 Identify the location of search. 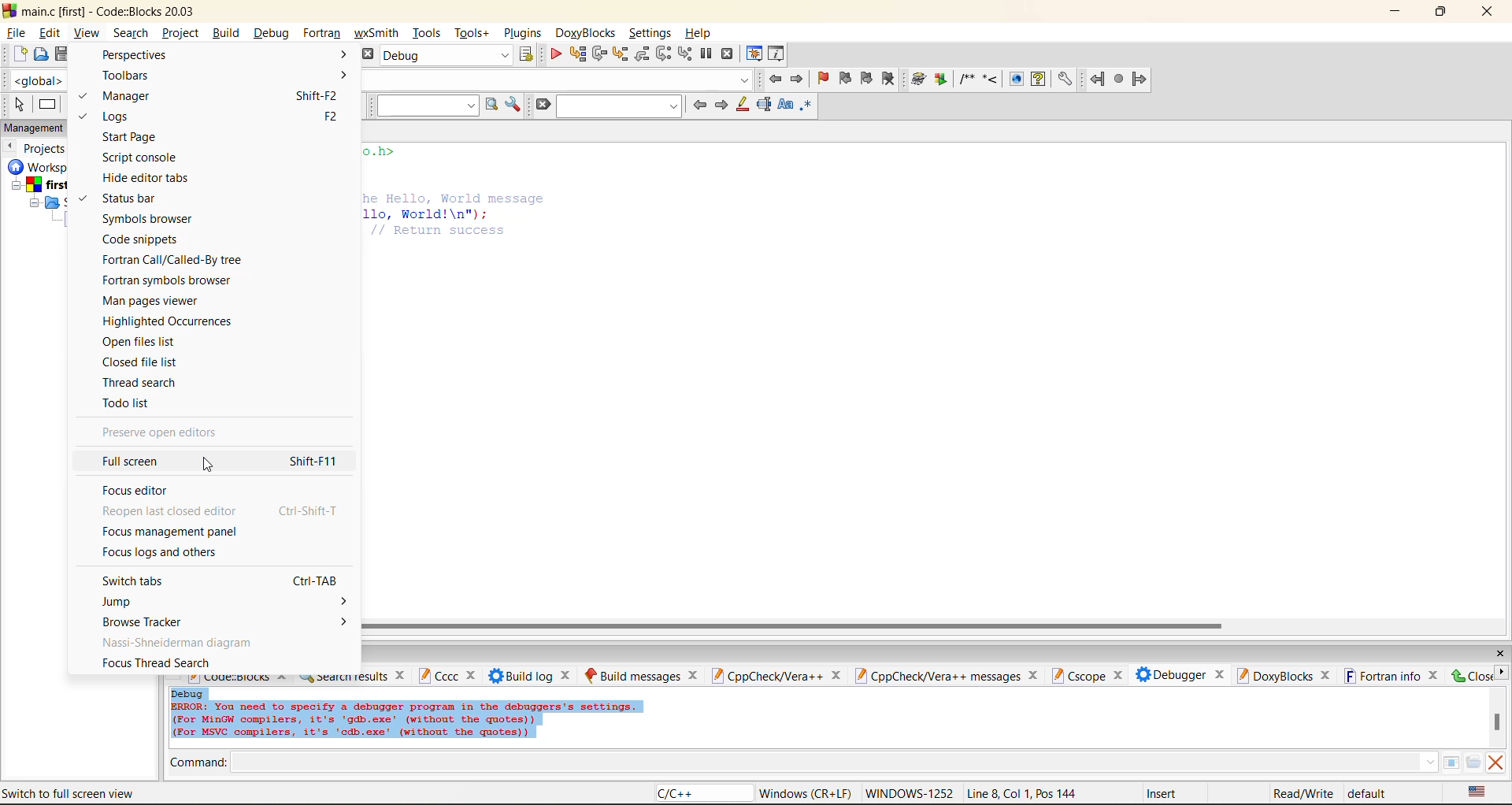
(622, 106).